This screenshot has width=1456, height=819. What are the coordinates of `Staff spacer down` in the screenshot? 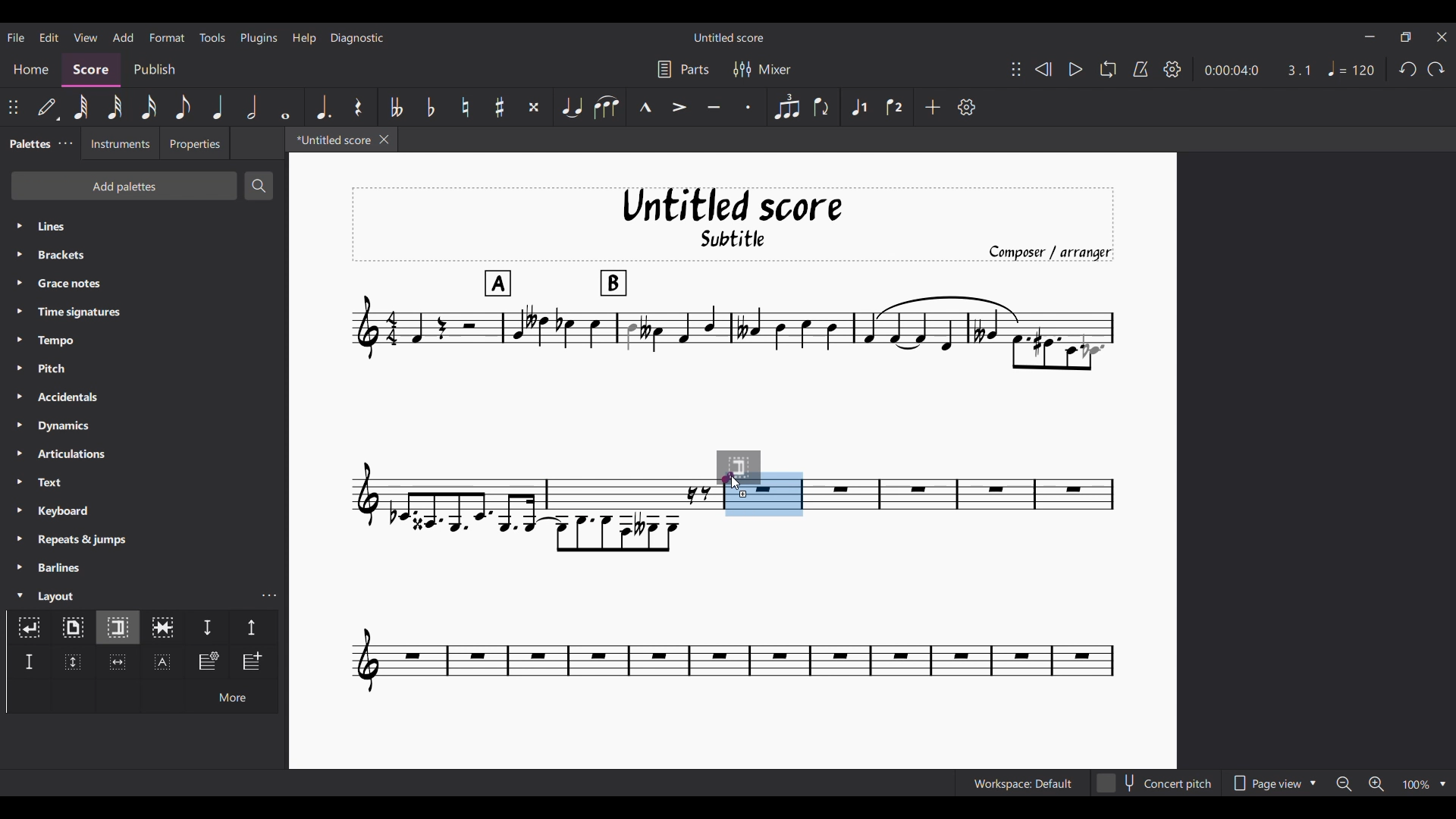 It's located at (207, 627).